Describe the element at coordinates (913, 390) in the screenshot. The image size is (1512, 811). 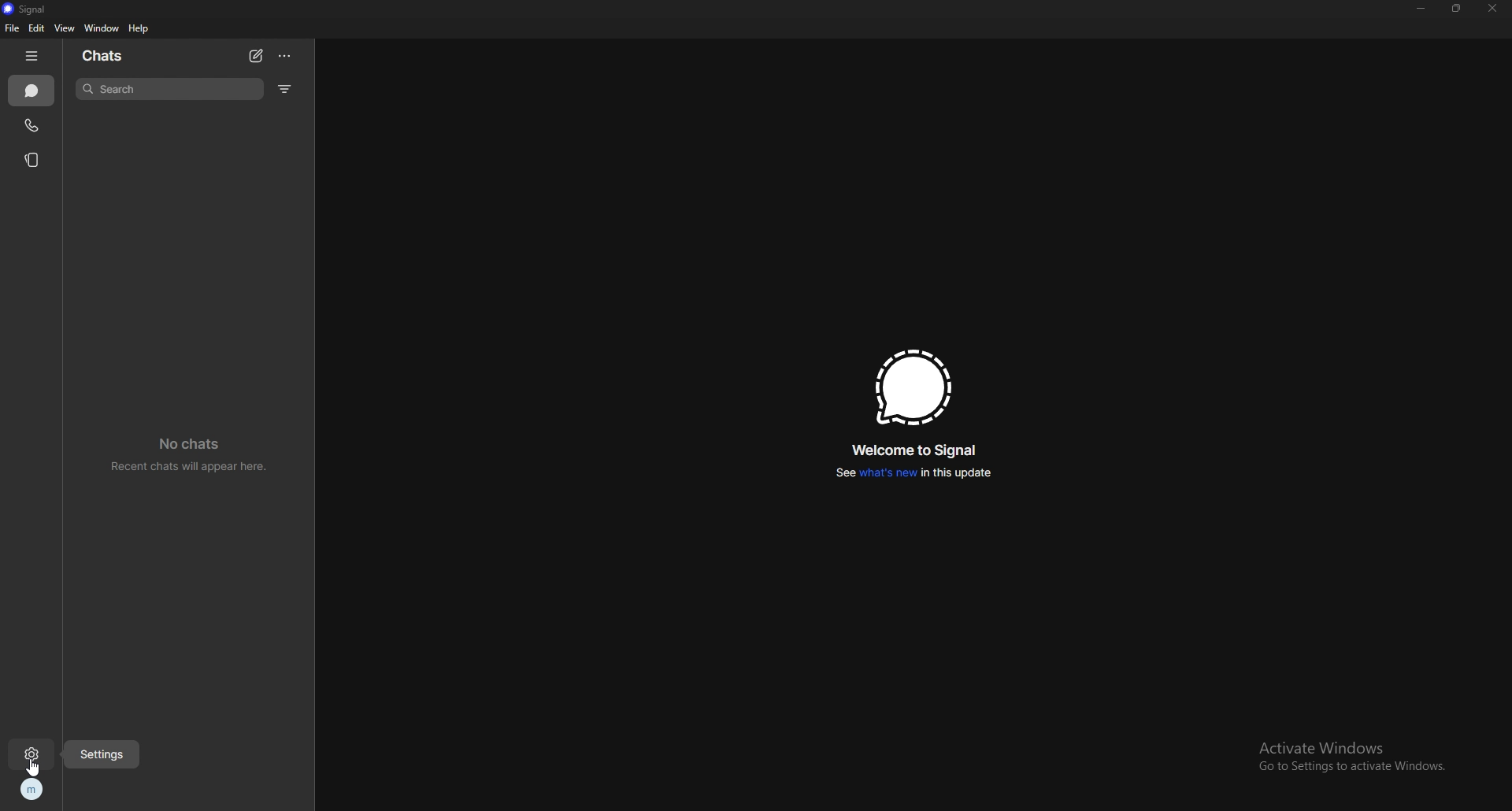
I see `signal logo` at that location.